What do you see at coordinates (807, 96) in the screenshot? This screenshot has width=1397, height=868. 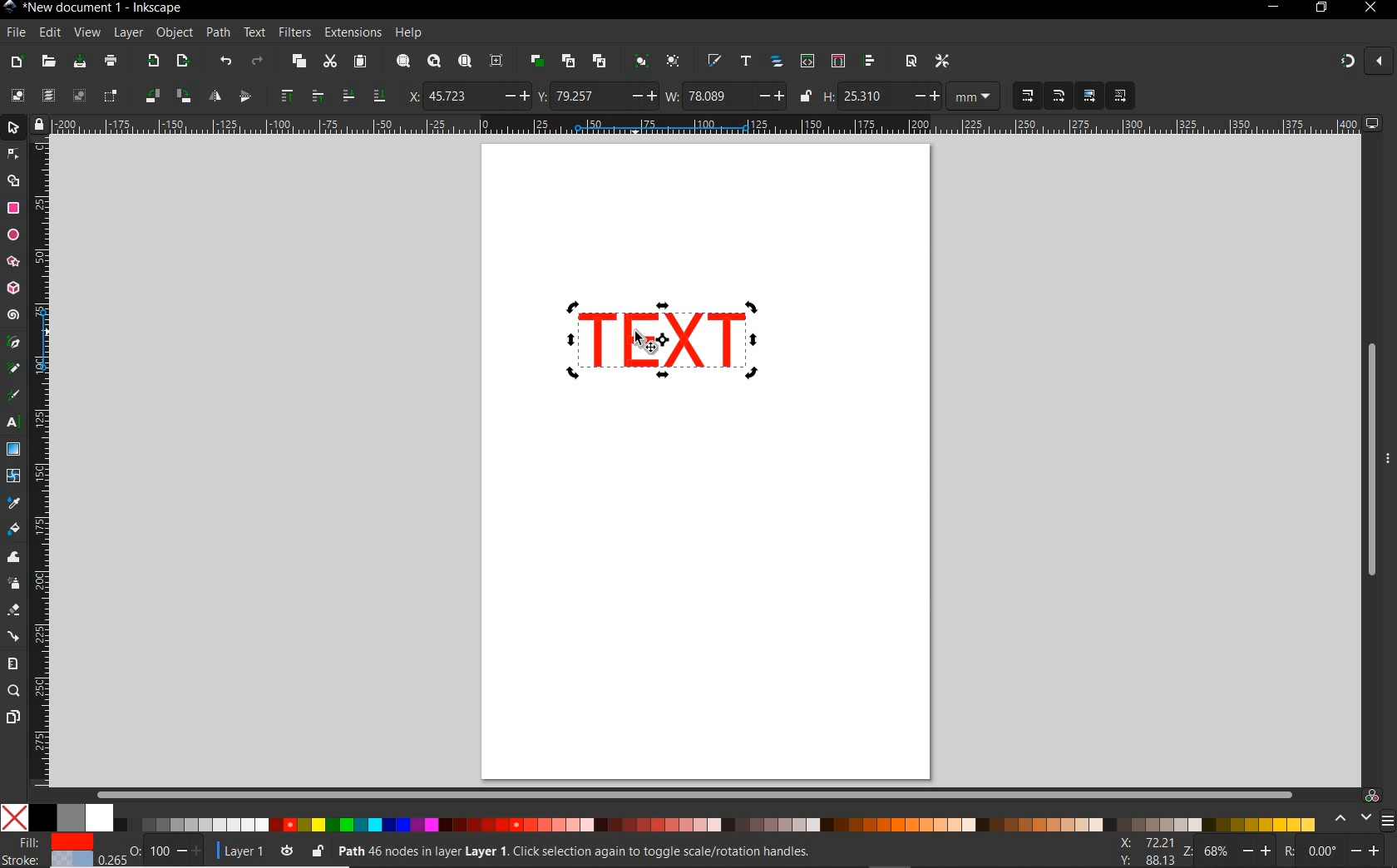 I see `LOCK/UNLOCK HEIGHT/WIDTH` at bounding box center [807, 96].